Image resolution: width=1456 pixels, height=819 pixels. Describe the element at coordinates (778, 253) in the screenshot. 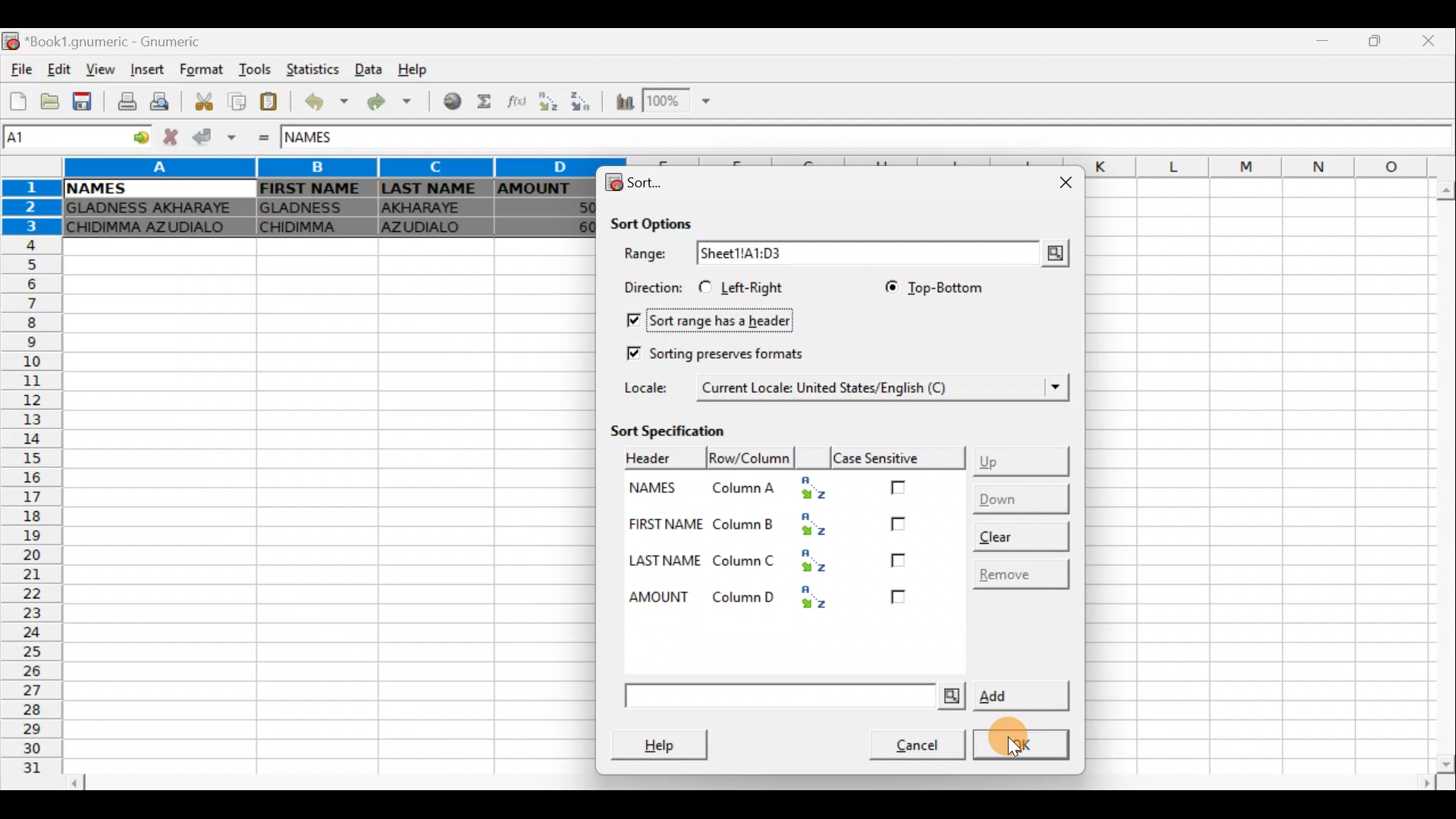

I see `Sheet1!A1:D3` at that location.